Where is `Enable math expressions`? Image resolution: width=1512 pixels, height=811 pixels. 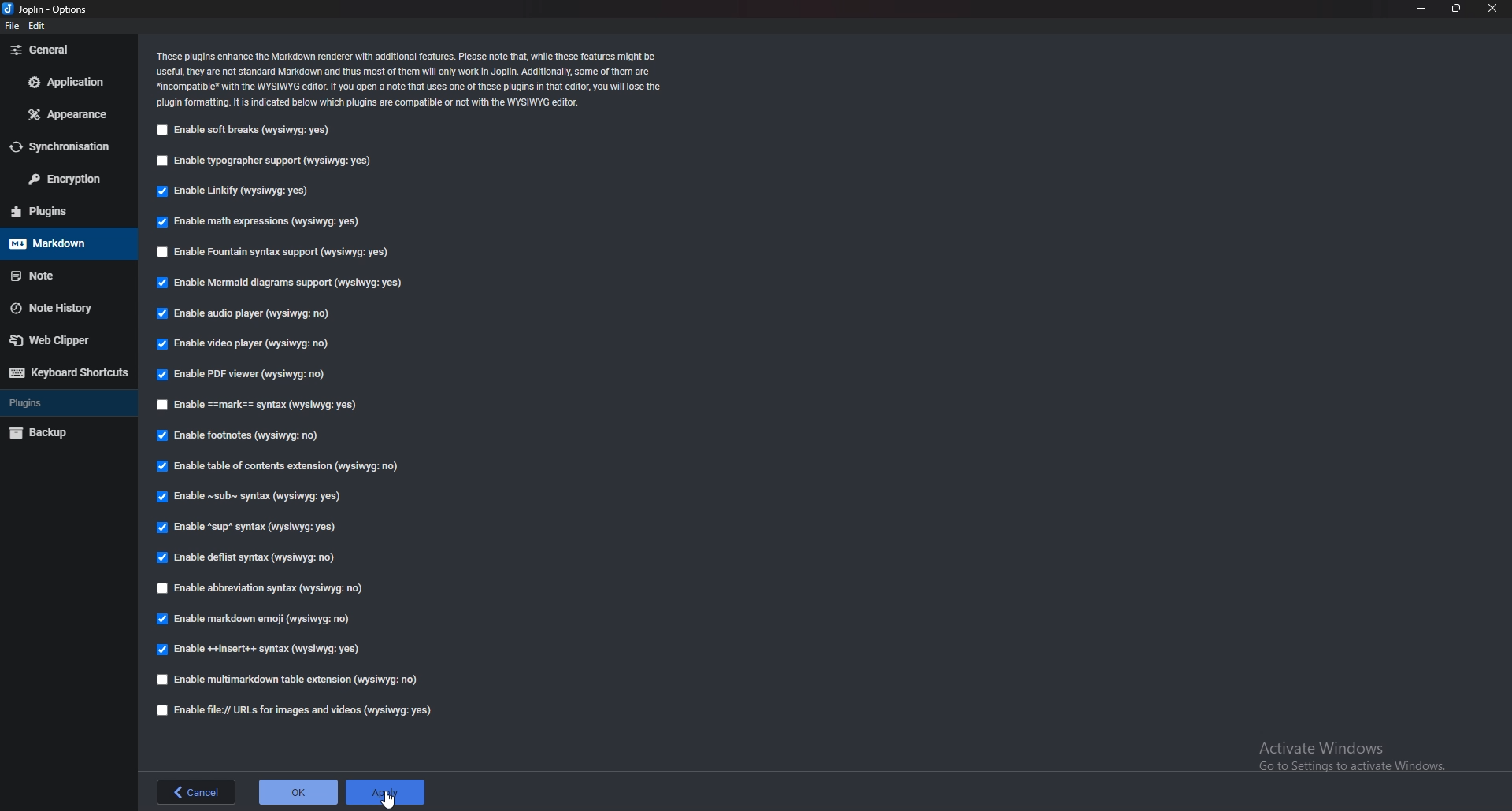 Enable math expressions is located at coordinates (259, 223).